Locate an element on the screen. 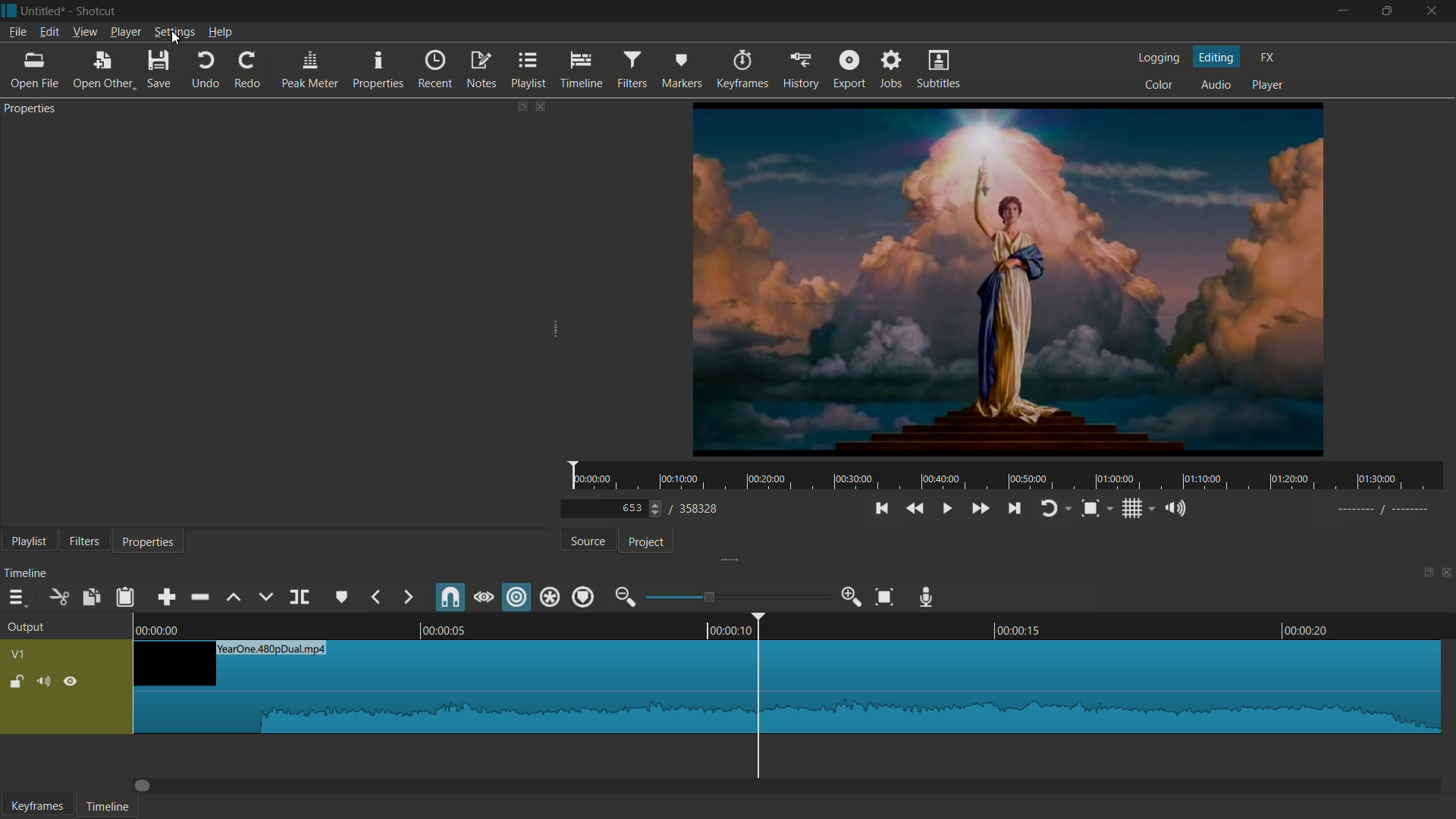  zoom in is located at coordinates (850, 597).